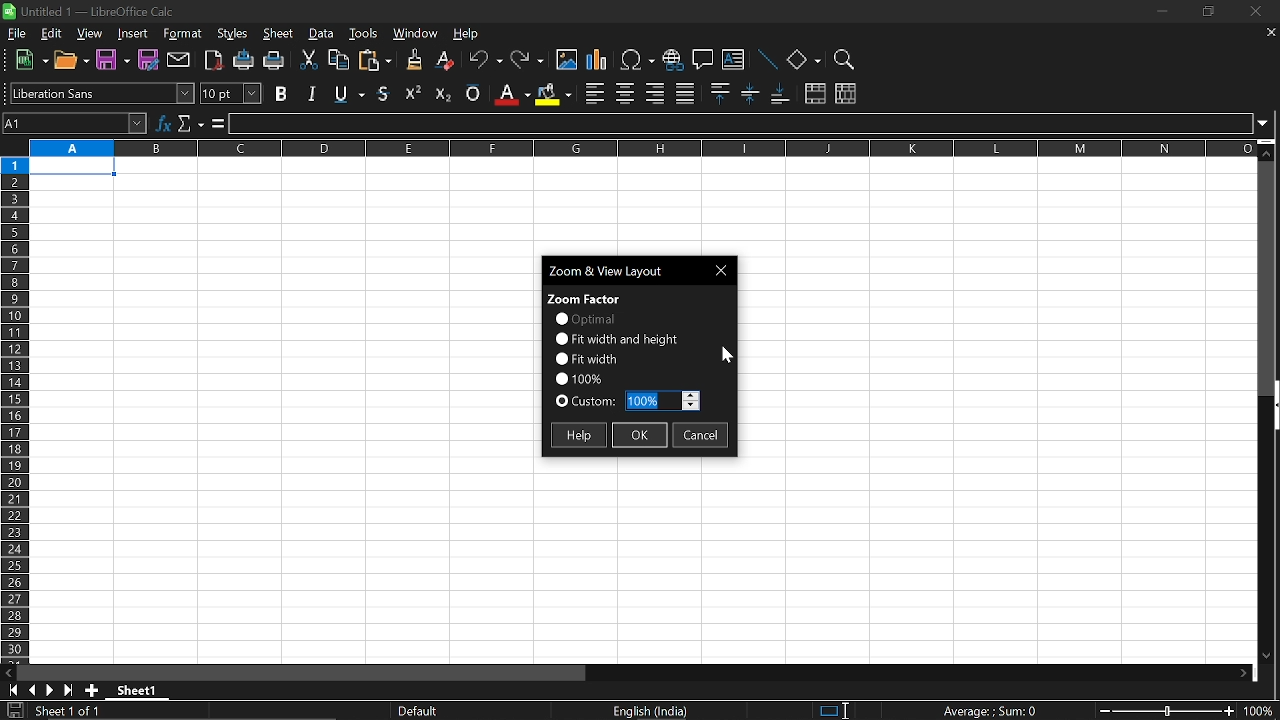 The height and width of the screenshot is (720, 1280). I want to click on close current sheet, so click(1269, 34).